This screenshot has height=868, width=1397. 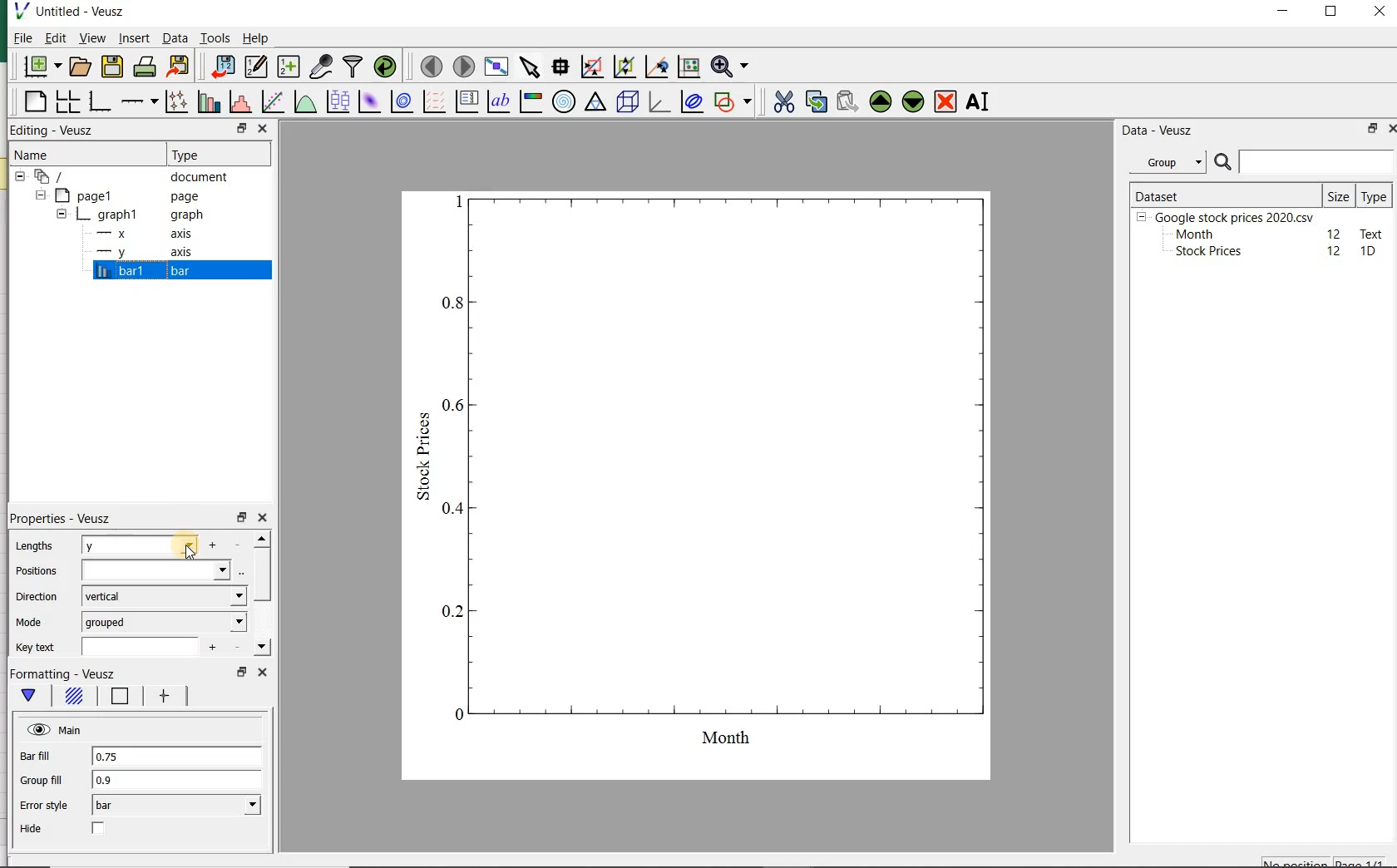 What do you see at coordinates (206, 103) in the screenshot?
I see `plot bar charts` at bounding box center [206, 103].